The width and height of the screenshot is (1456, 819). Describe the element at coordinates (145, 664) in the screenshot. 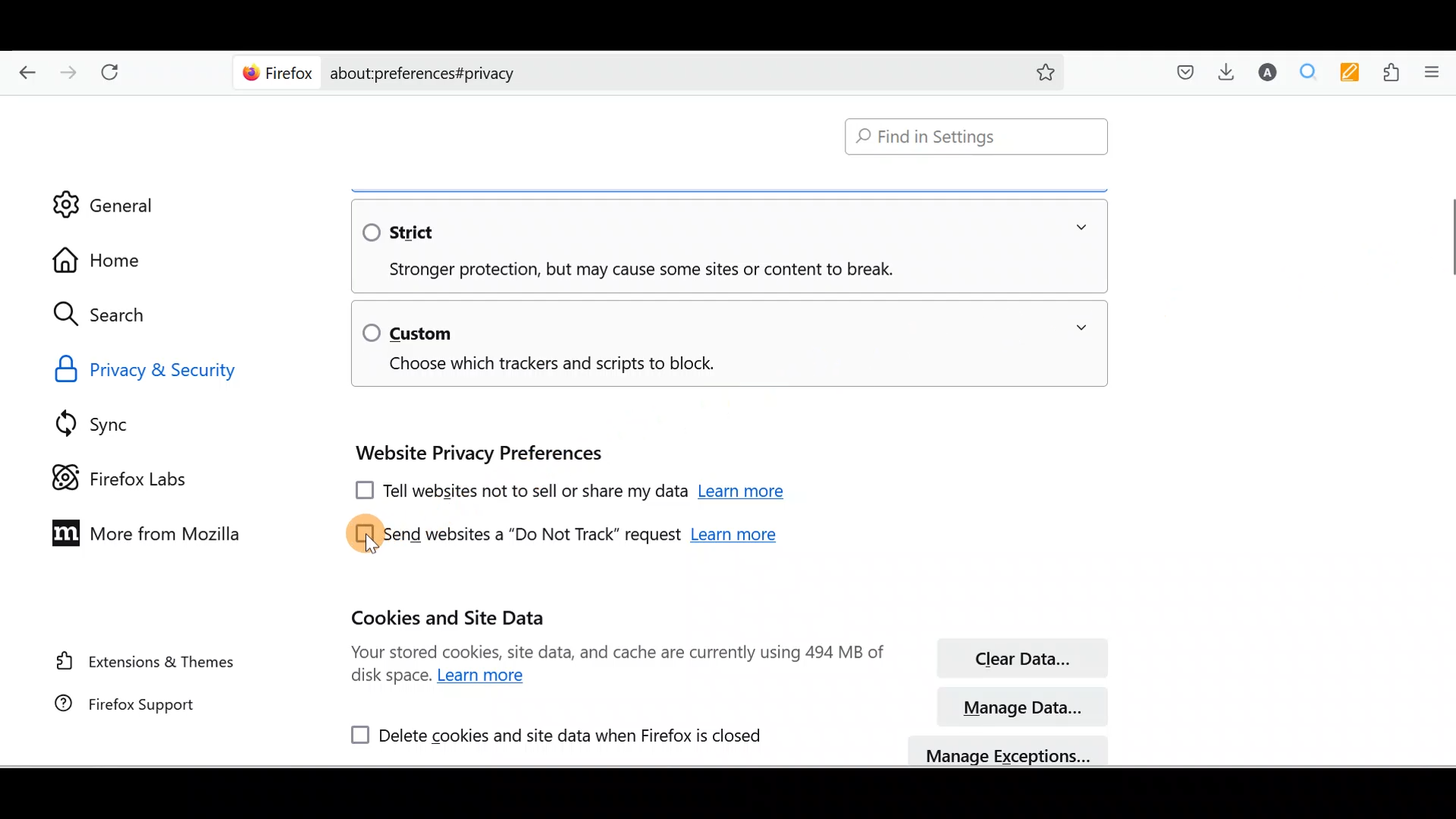

I see `Extension & themes` at that location.